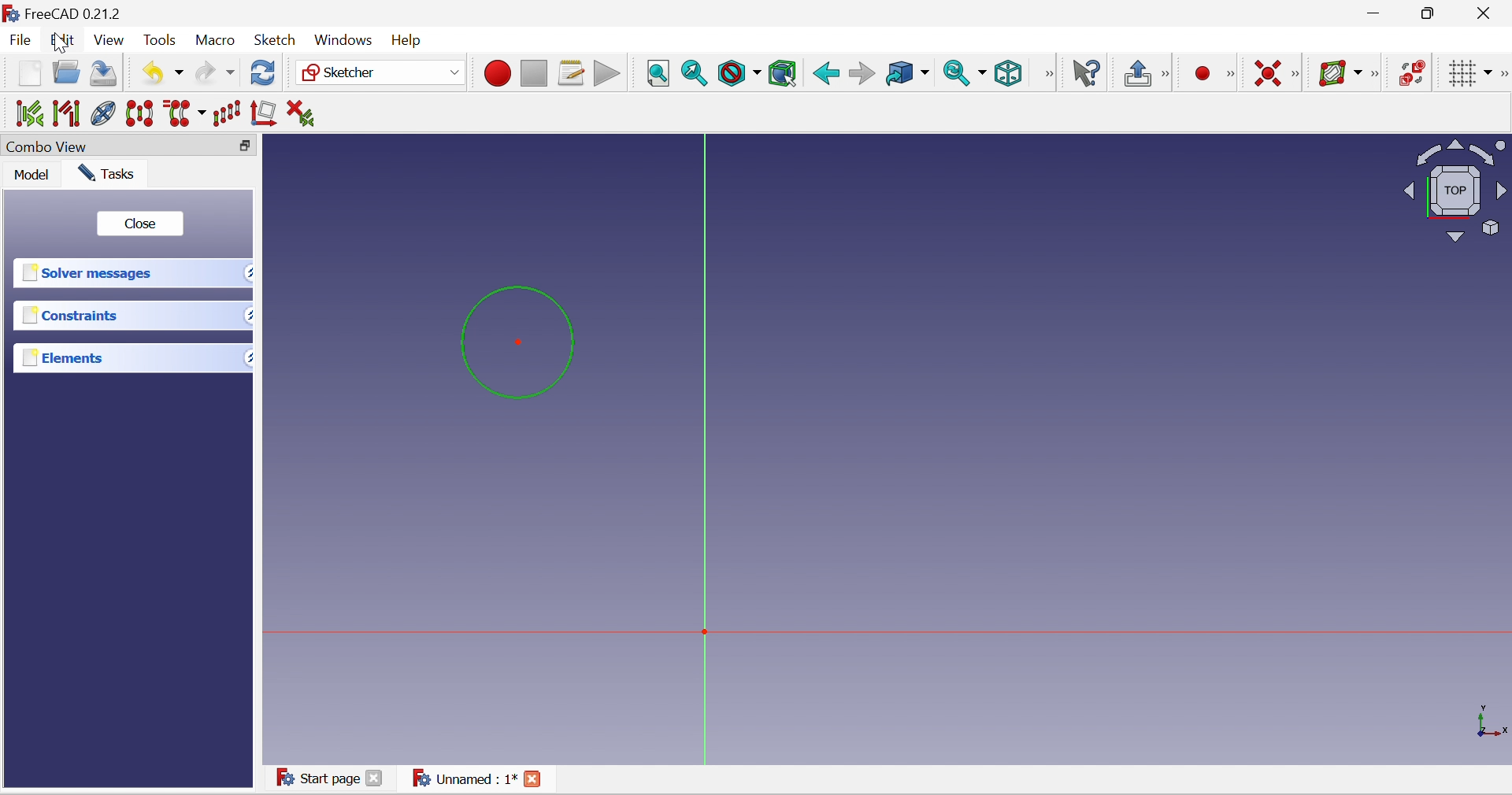 The width and height of the screenshot is (1512, 795). I want to click on Solver messages, so click(86, 272).